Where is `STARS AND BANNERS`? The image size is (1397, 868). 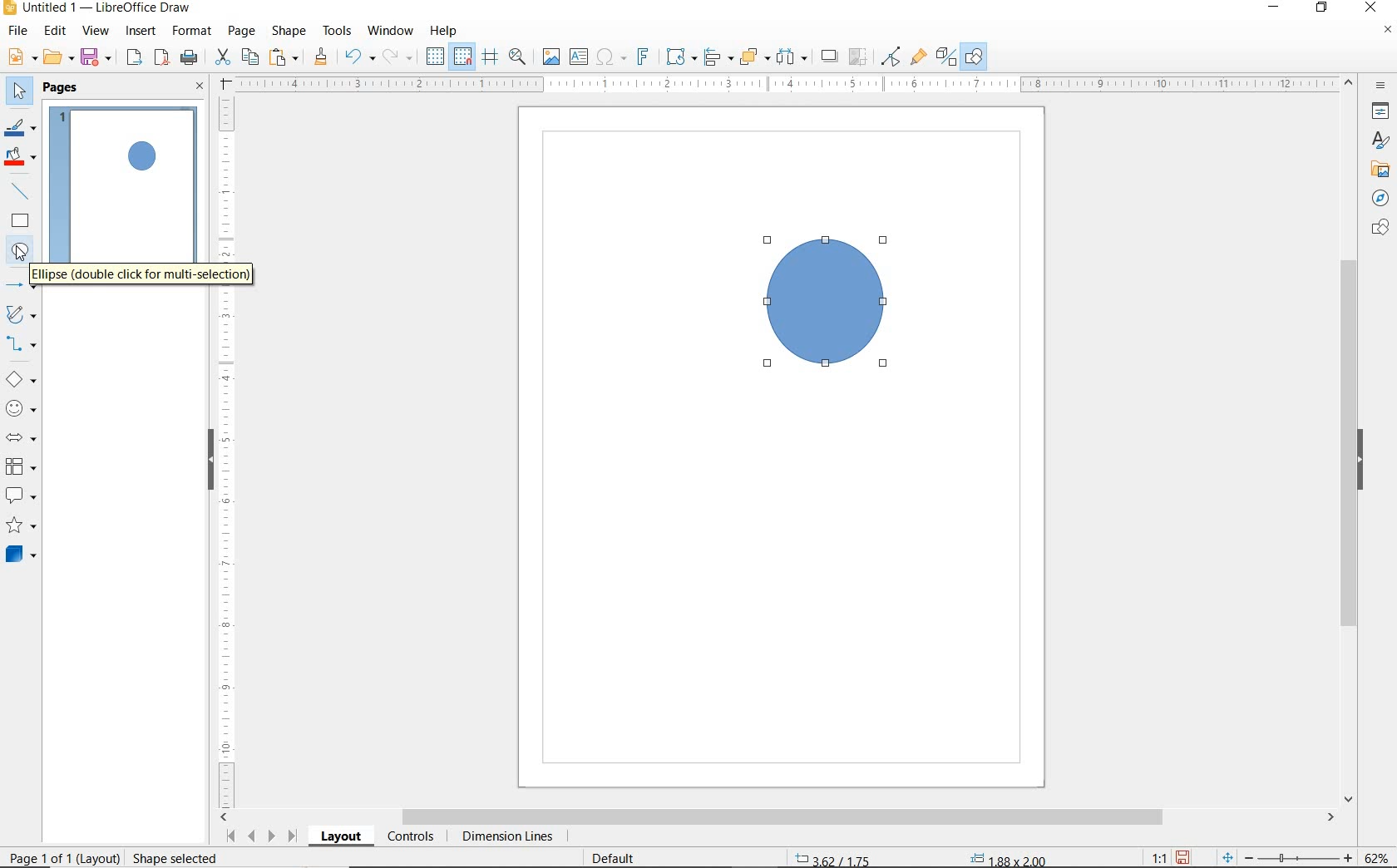
STARS AND BANNERS is located at coordinates (21, 527).